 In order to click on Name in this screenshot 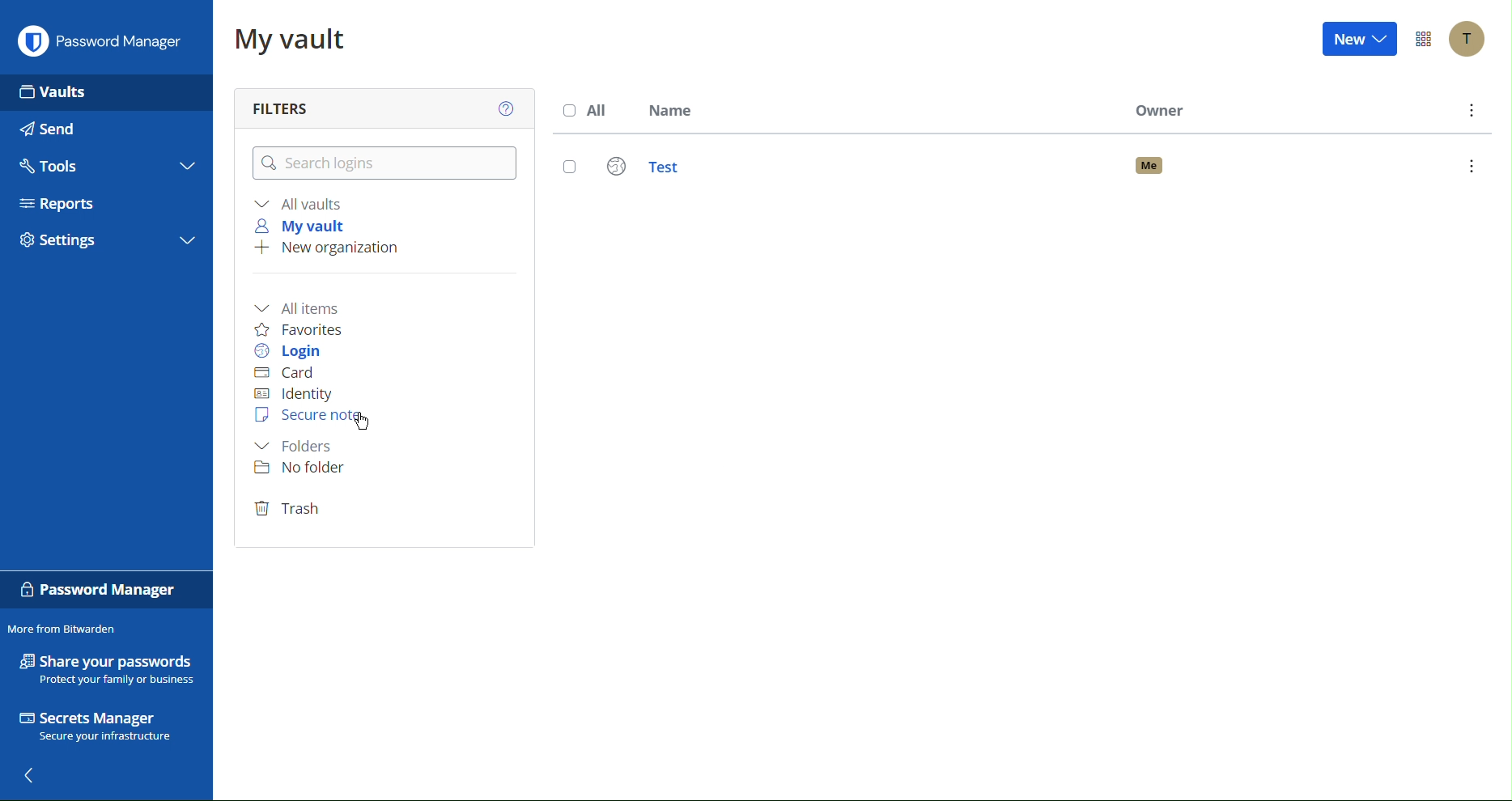, I will do `click(679, 111)`.